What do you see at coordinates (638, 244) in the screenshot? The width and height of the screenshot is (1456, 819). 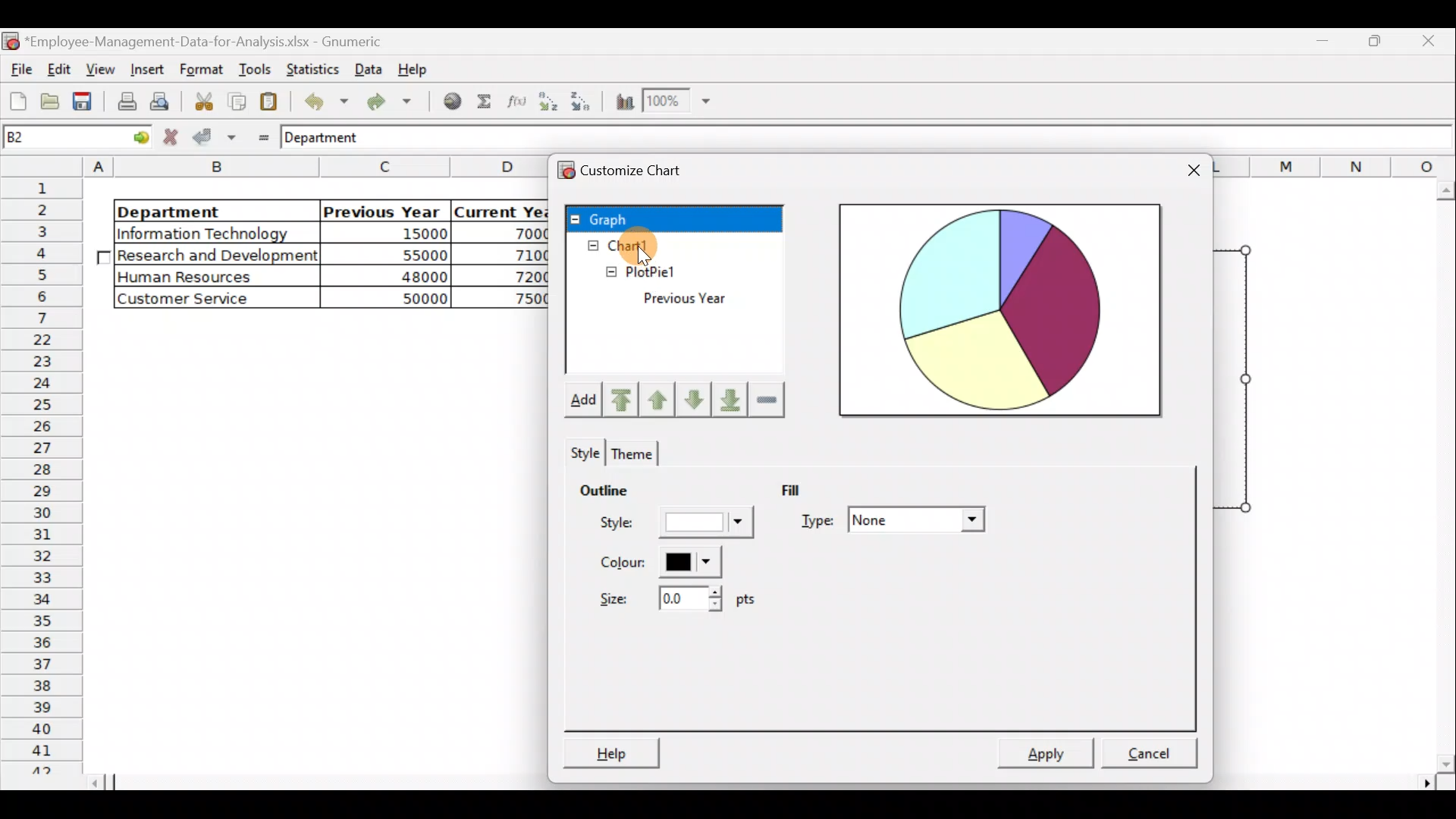 I see `Chart1` at bounding box center [638, 244].